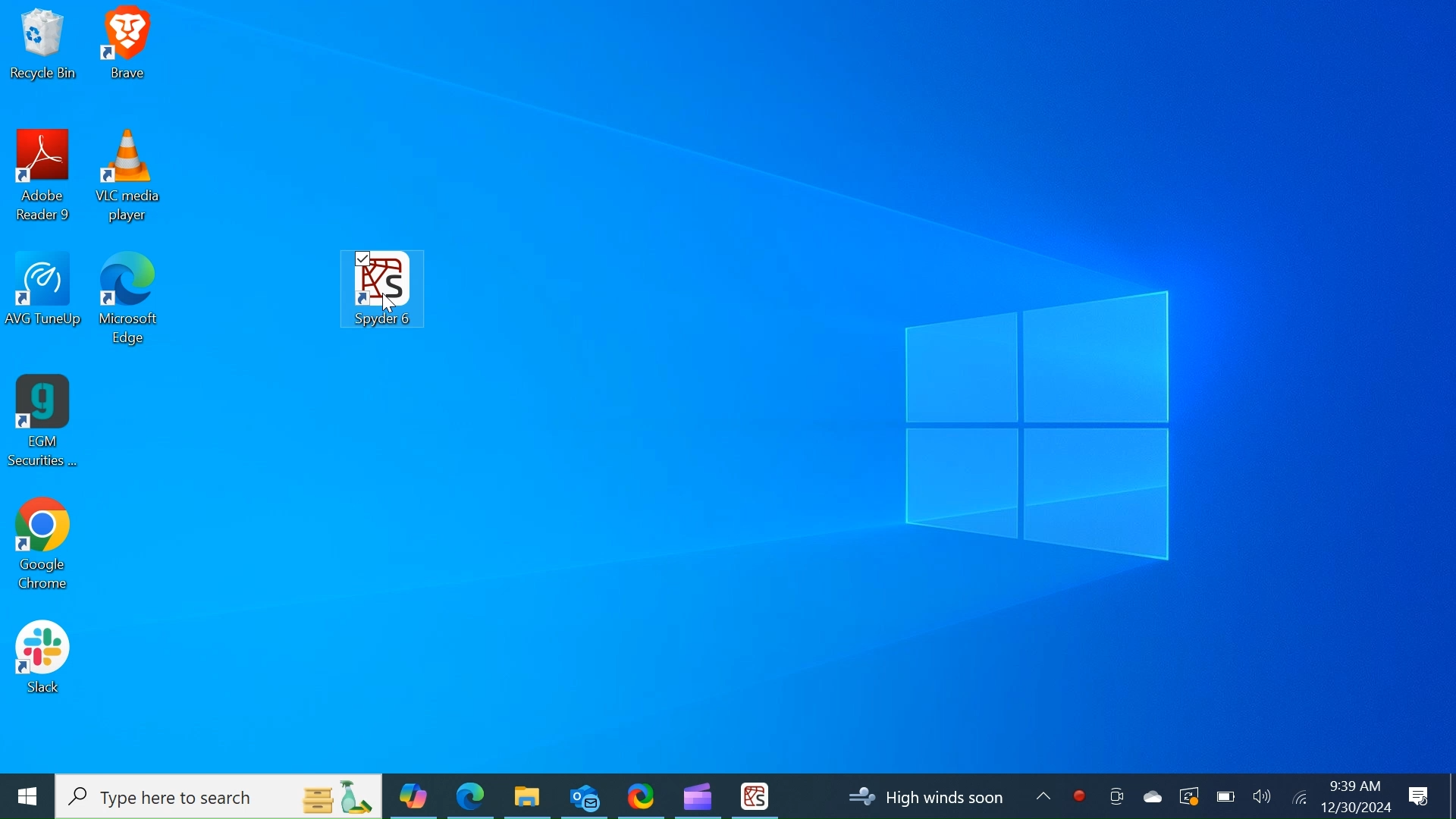 The height and width of the screenshot is (819, 1456). I want to click on Microsoft Edge Desktop Icon, so click(130, 305).